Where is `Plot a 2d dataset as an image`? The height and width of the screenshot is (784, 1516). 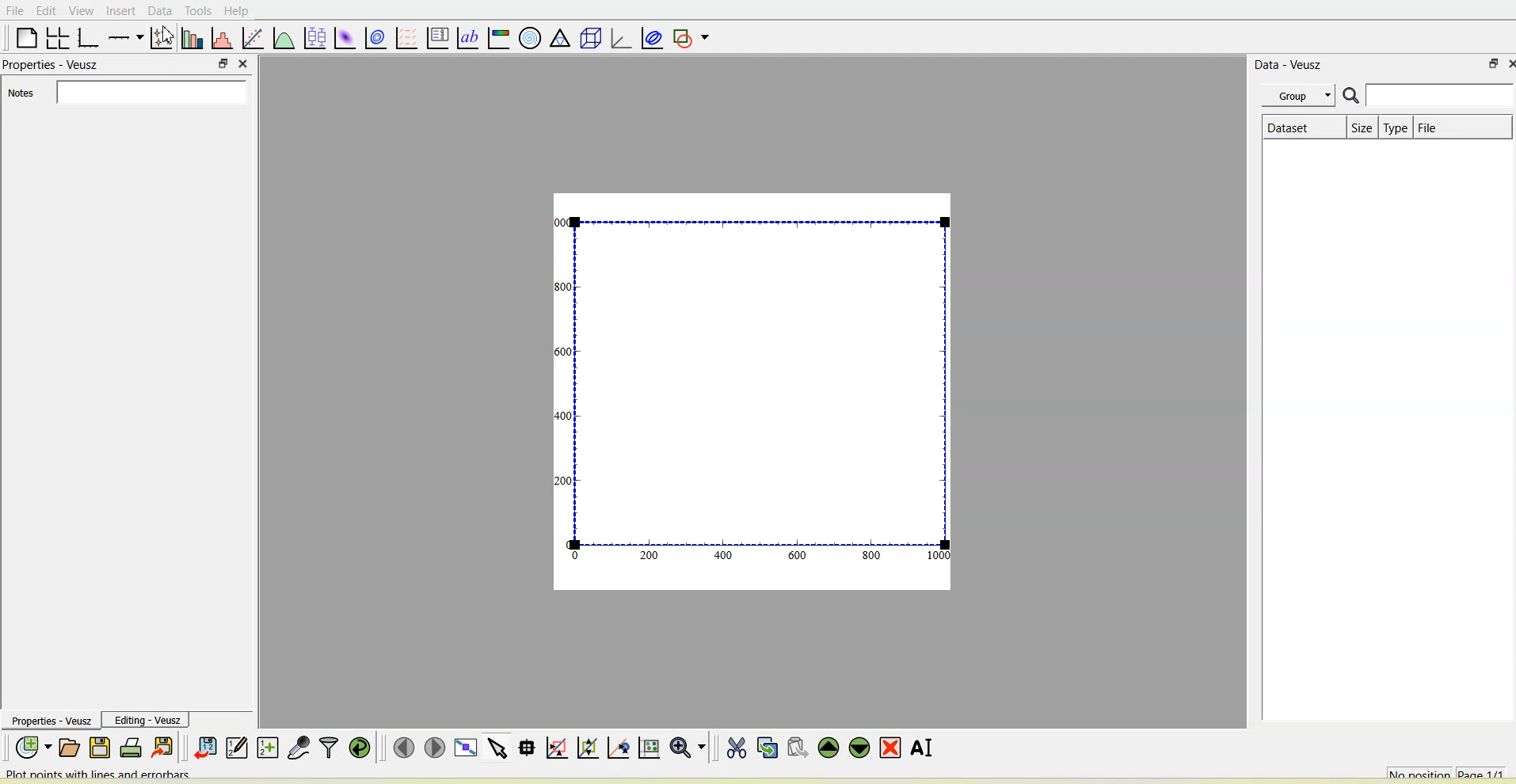 Plot a 2d dataset as an image is located at coordinates (345, 36).